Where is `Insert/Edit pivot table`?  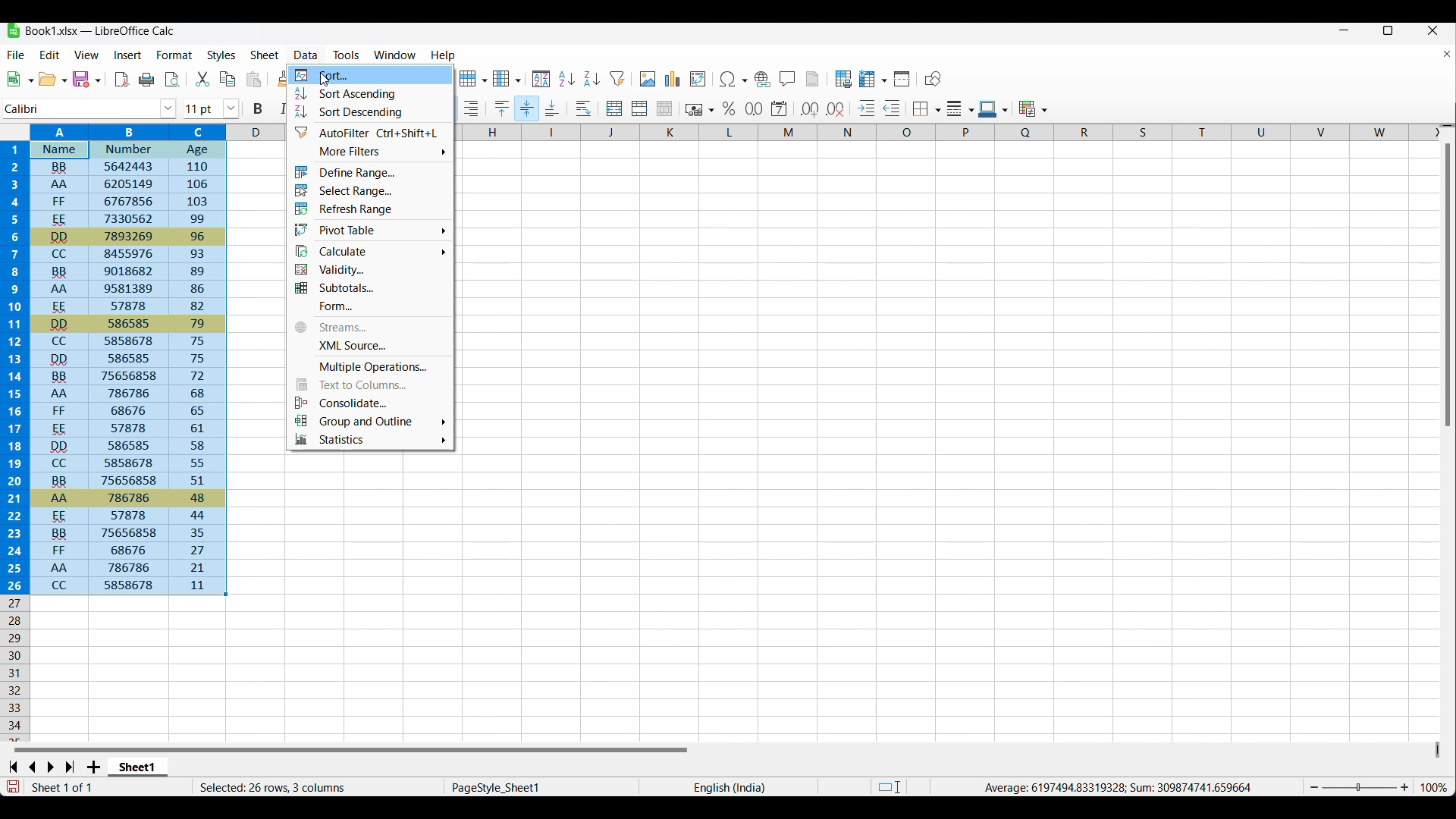 Insert/Edit pivot table is located at coordinates (698, 79).